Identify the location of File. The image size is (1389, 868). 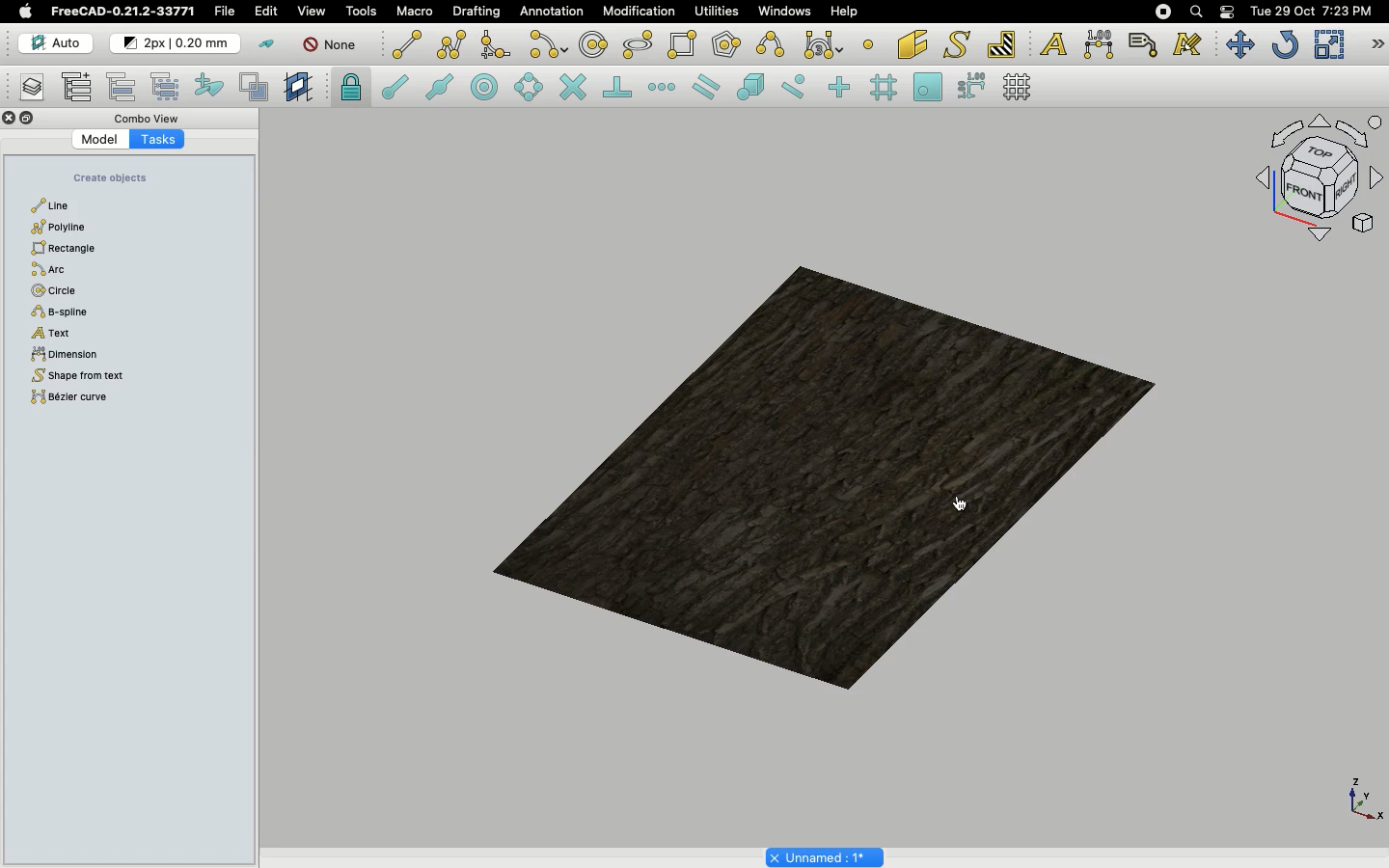
(227, 12).